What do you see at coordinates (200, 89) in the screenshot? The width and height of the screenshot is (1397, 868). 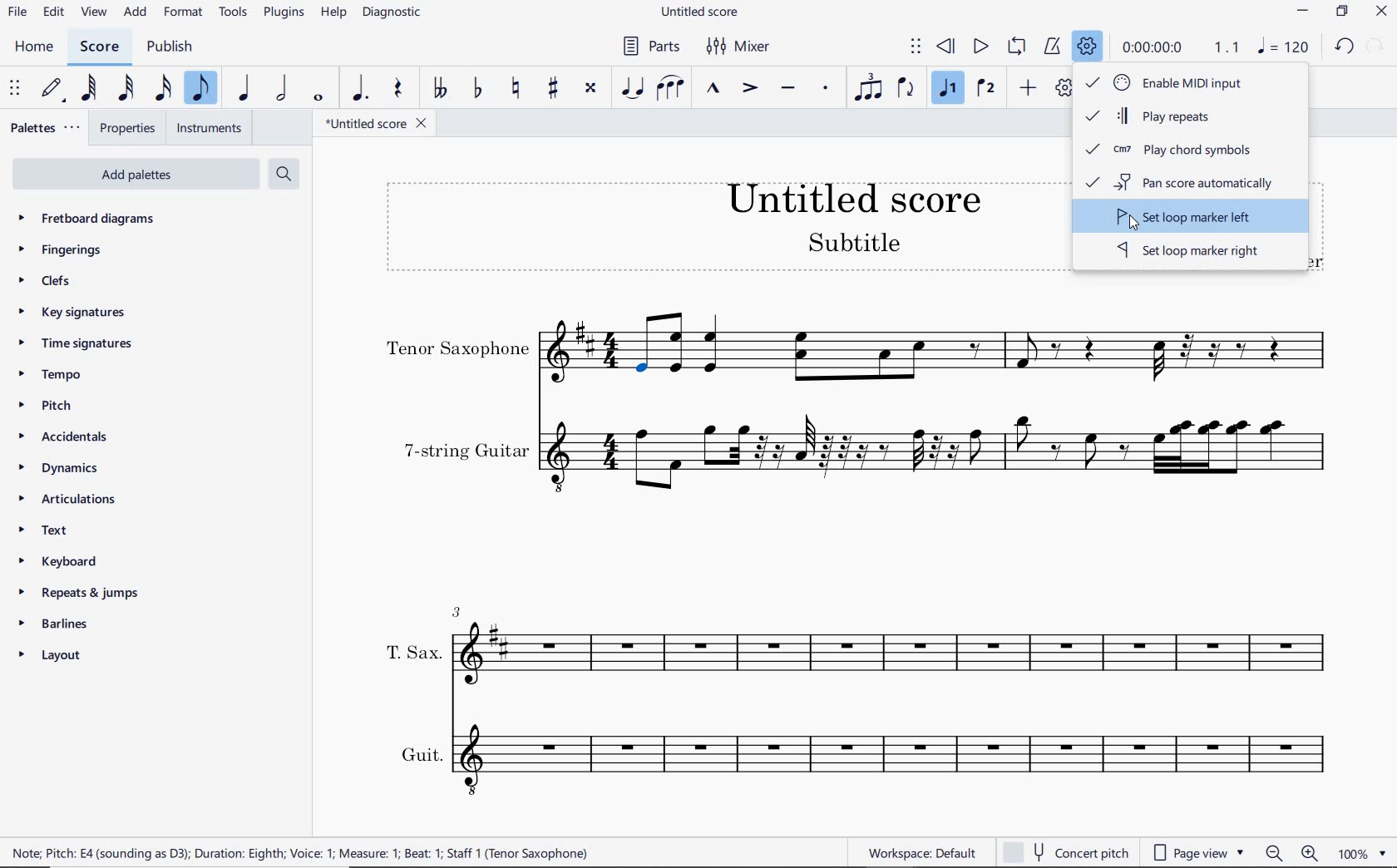 I see `EIGHTH NOTE` at bounding box center [200, 89].